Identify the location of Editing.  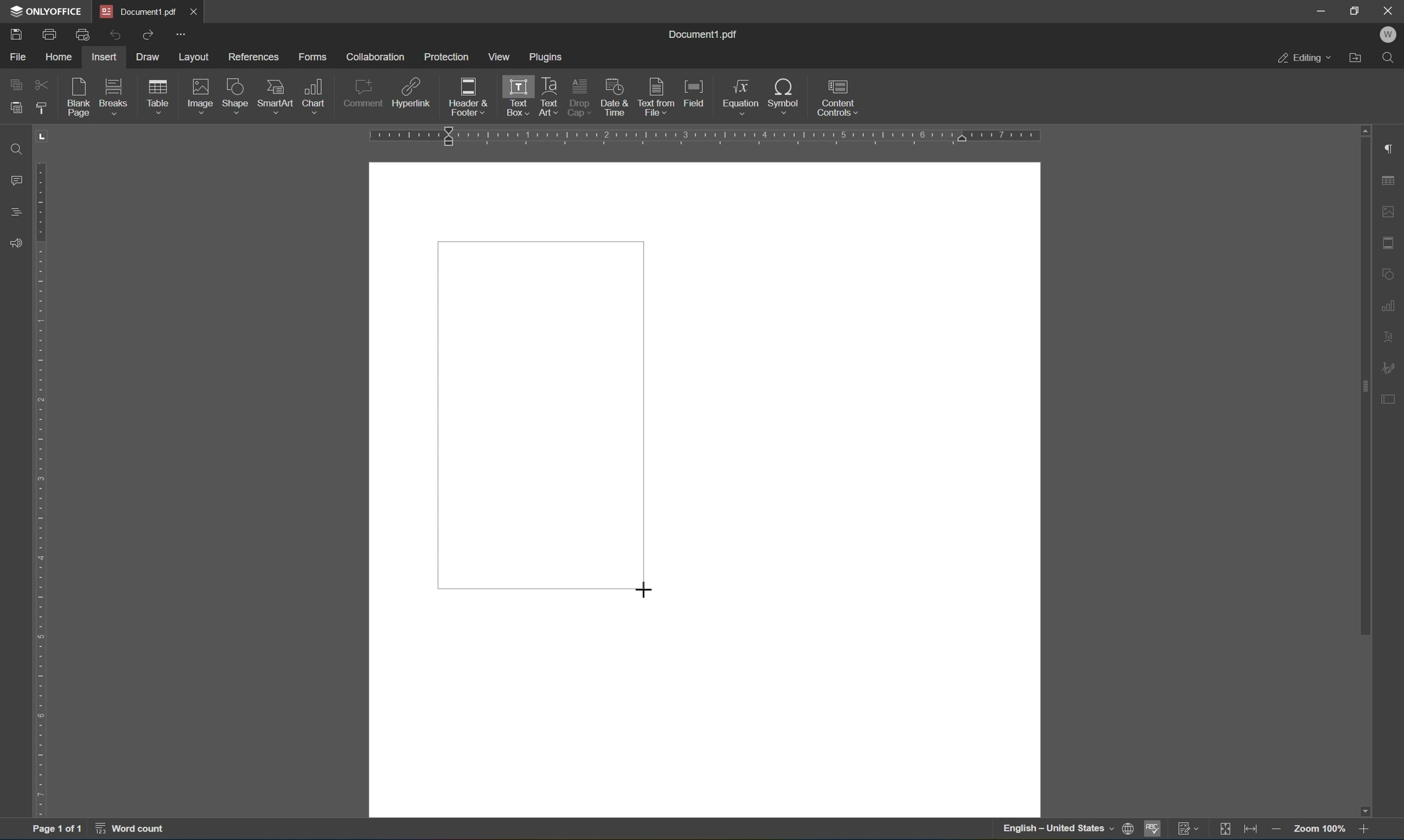
(1304, 59).